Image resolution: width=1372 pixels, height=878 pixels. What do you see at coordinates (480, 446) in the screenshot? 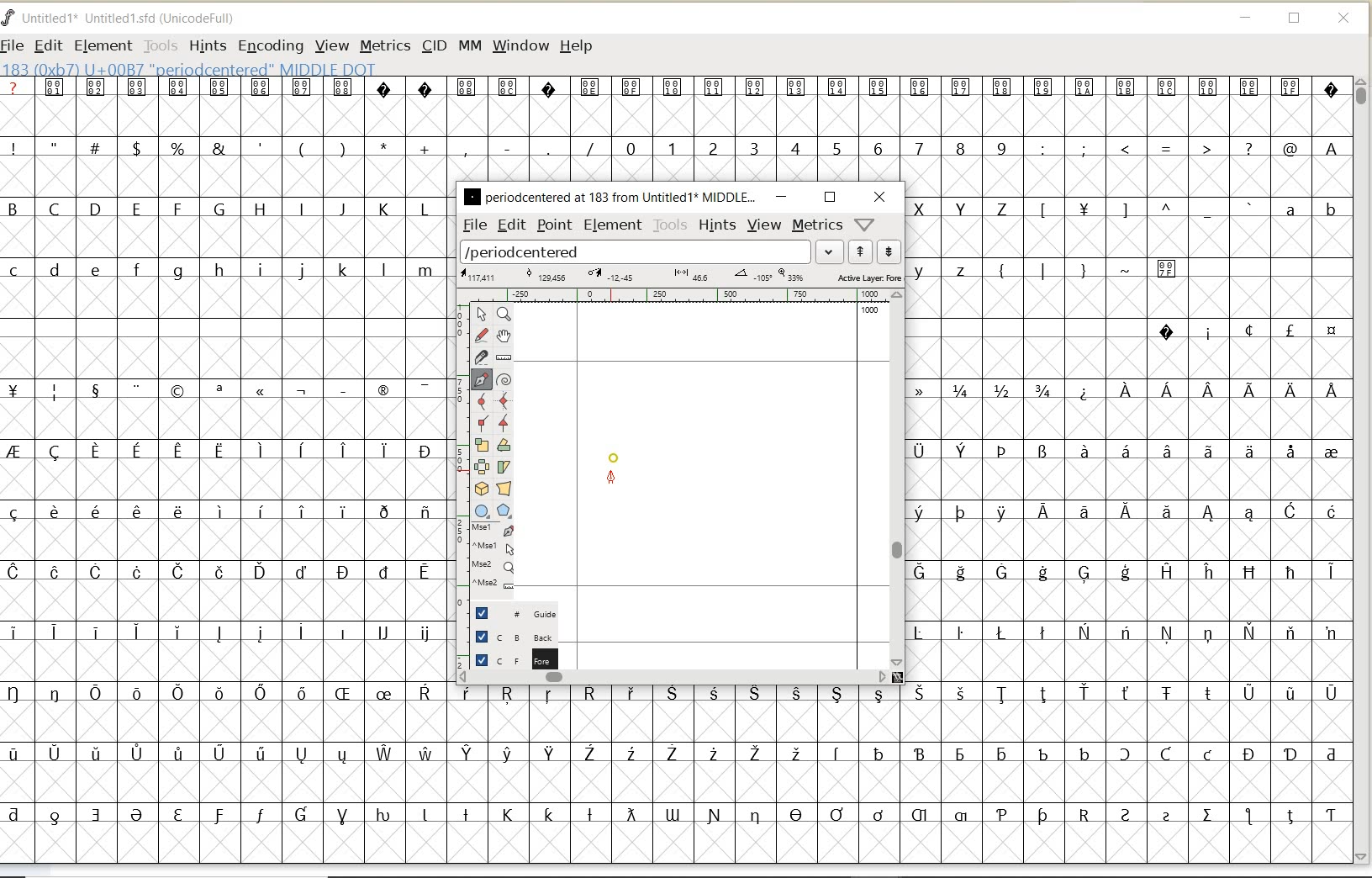
I see `scale the selection` at bounding box center [480, 446].